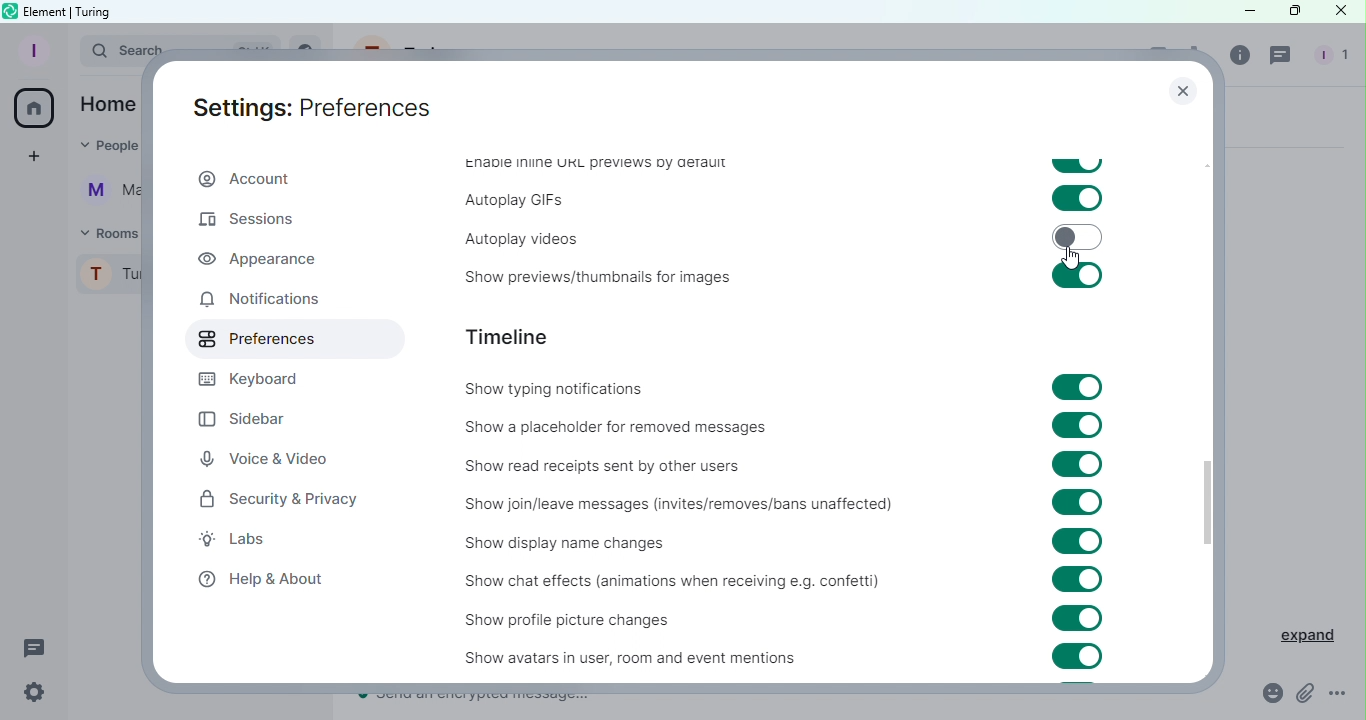 Image resolution: width=1366 pixels, height=720 pixels. What do you see at coordinates (279, 503) in the screenshot?
I see `Security and privacy` at bounding box center [279, 503].